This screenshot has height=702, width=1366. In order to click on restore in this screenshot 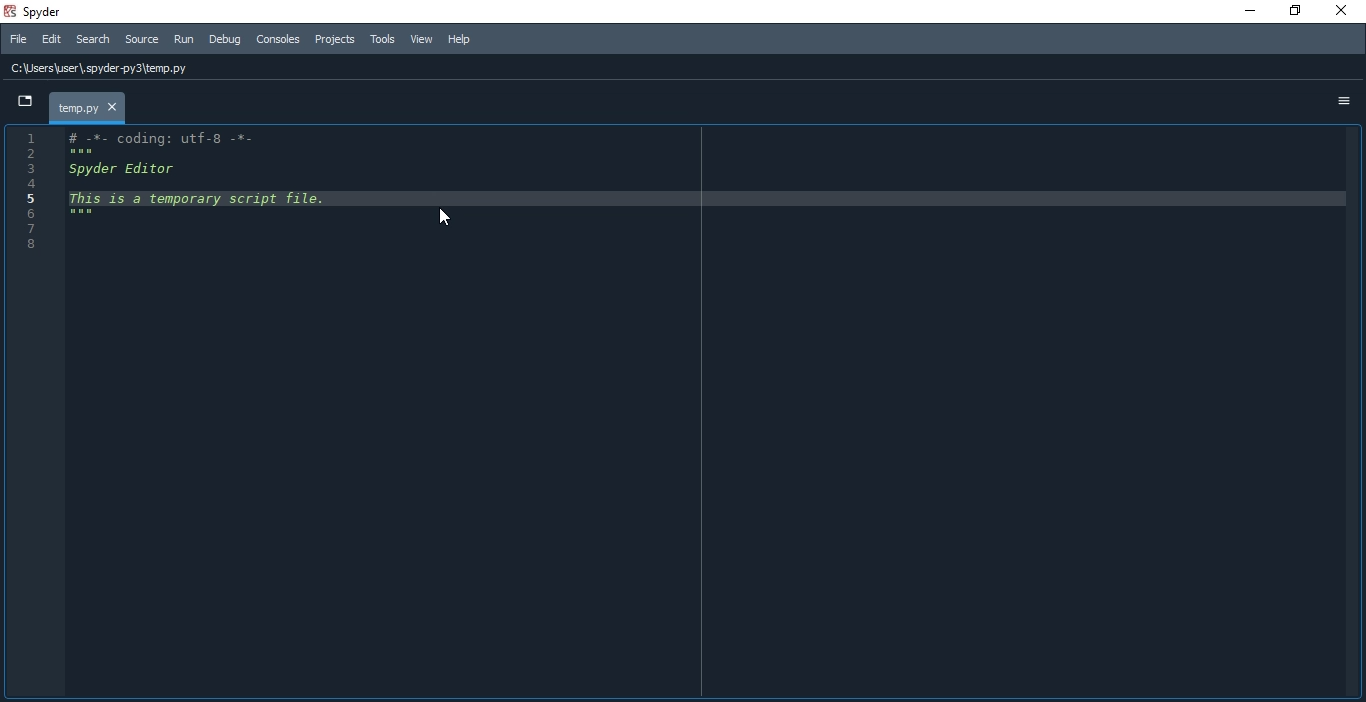, I will do `click(1294, 12)`.